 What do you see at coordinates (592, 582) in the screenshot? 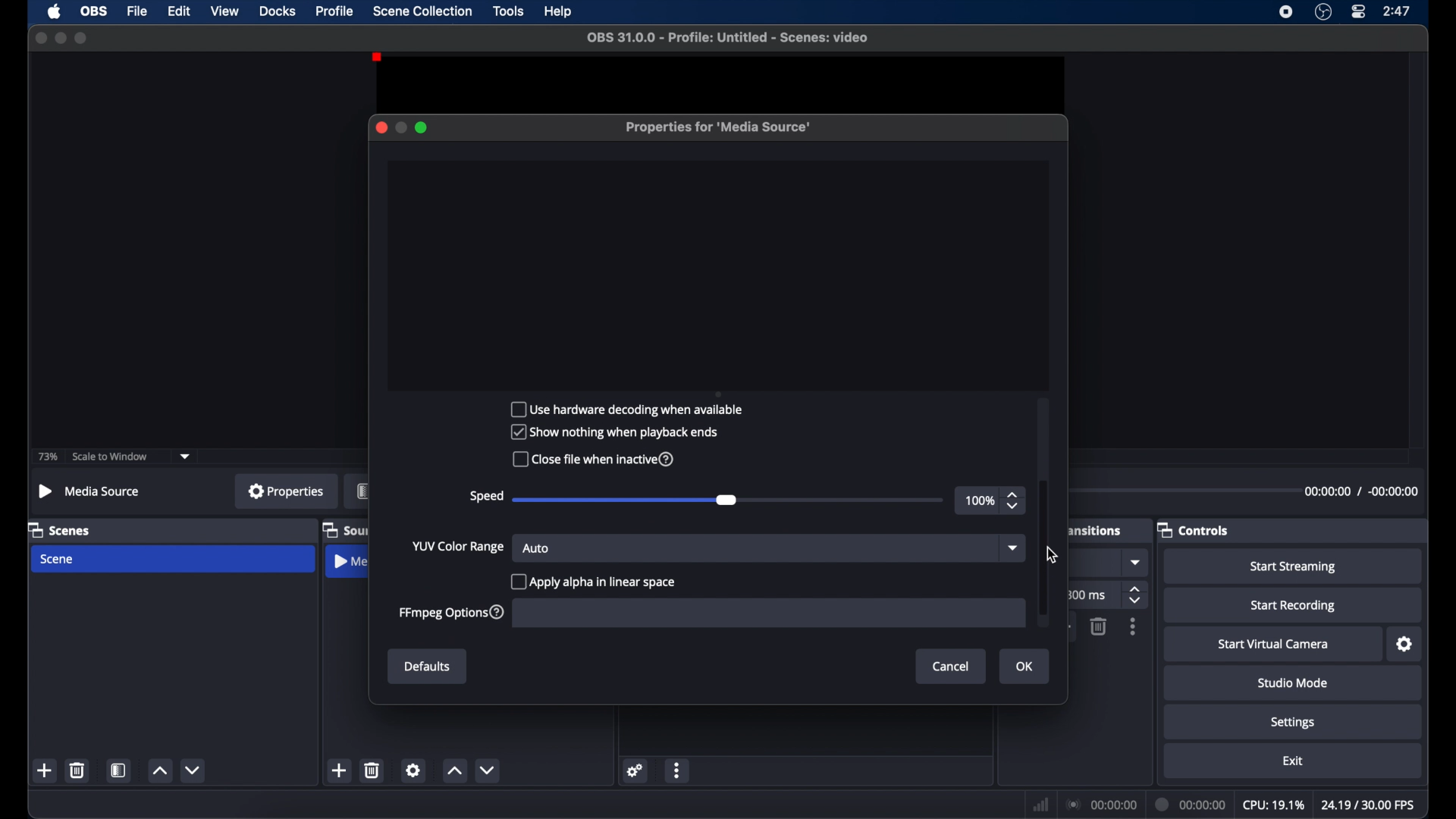
I see `checkbox` at bounding box center [592, 582].